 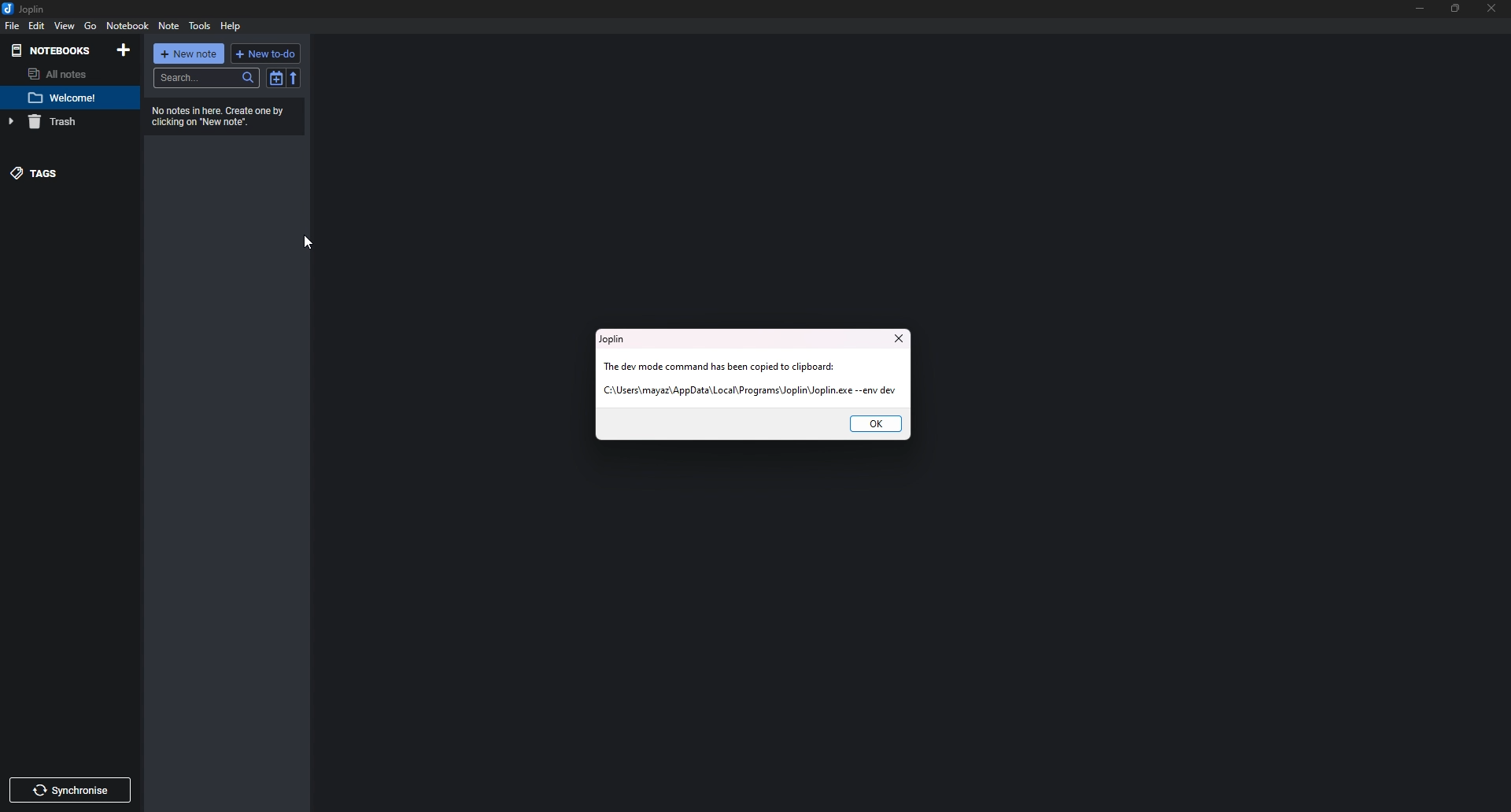 I want to click on Trash, so click(x=63, y=122).